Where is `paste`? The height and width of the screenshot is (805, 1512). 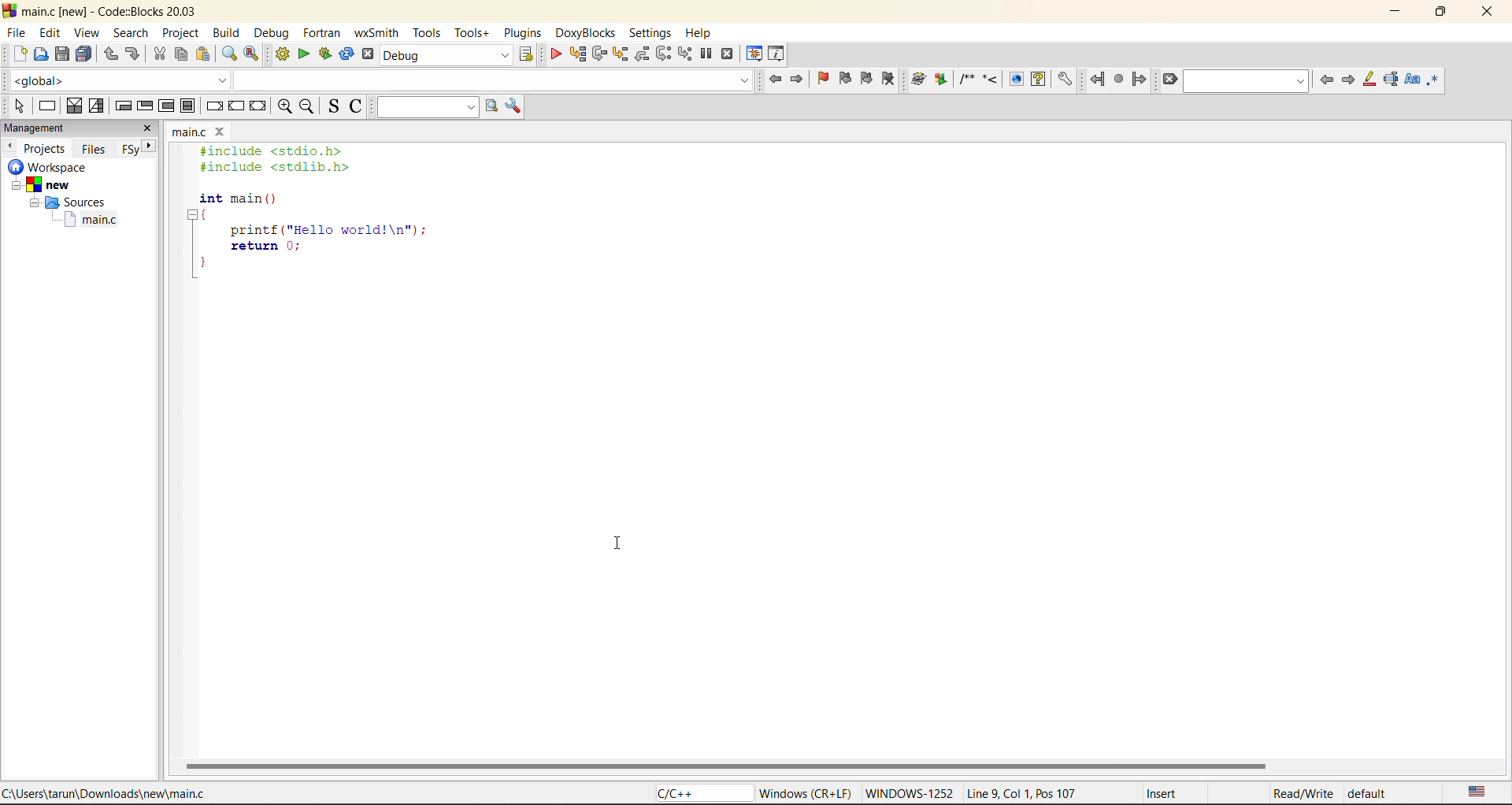 paste is located at coordinates (203, 53).